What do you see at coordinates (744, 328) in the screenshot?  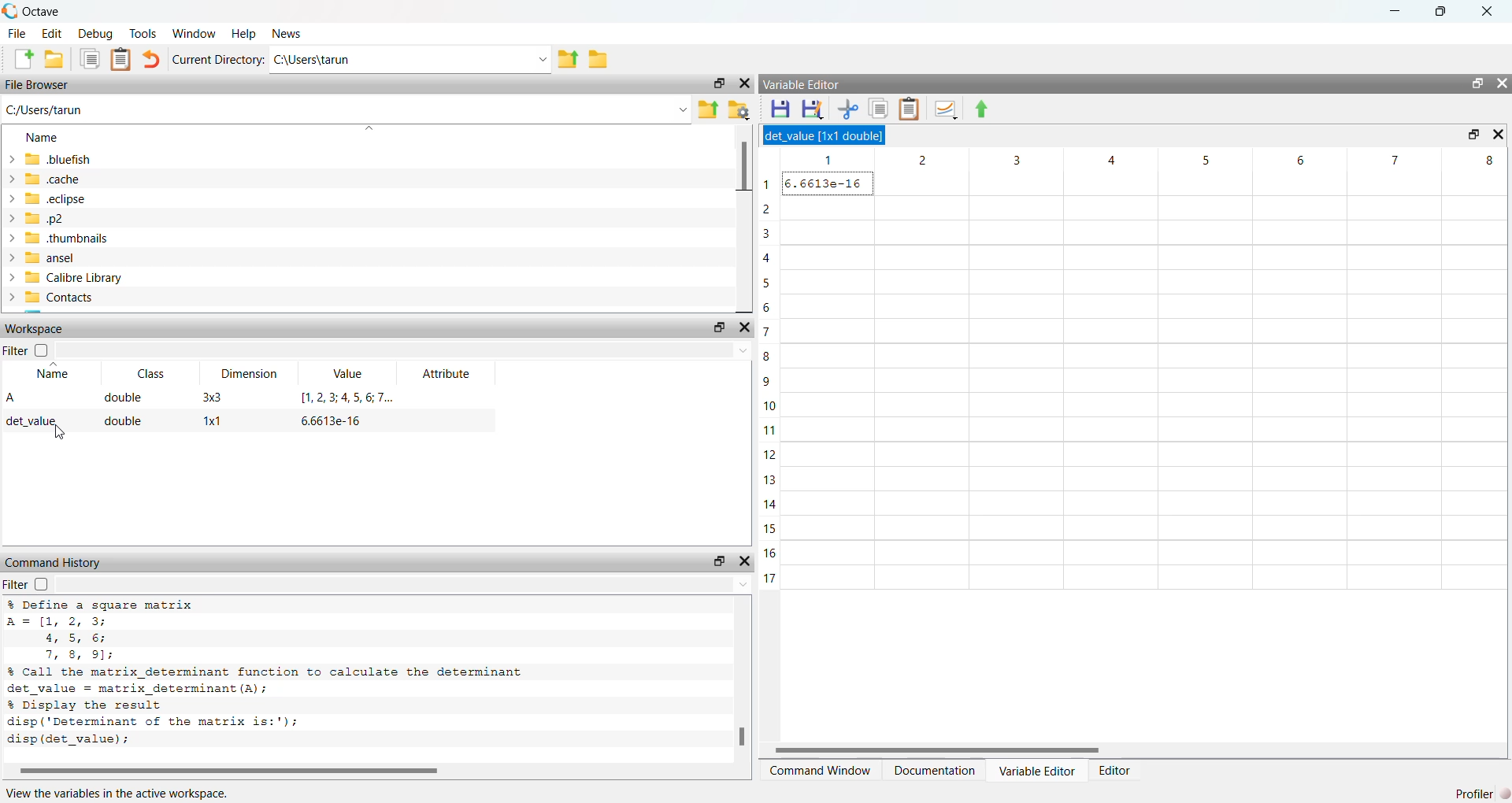 I see `close` at bounding box center [744, 328].